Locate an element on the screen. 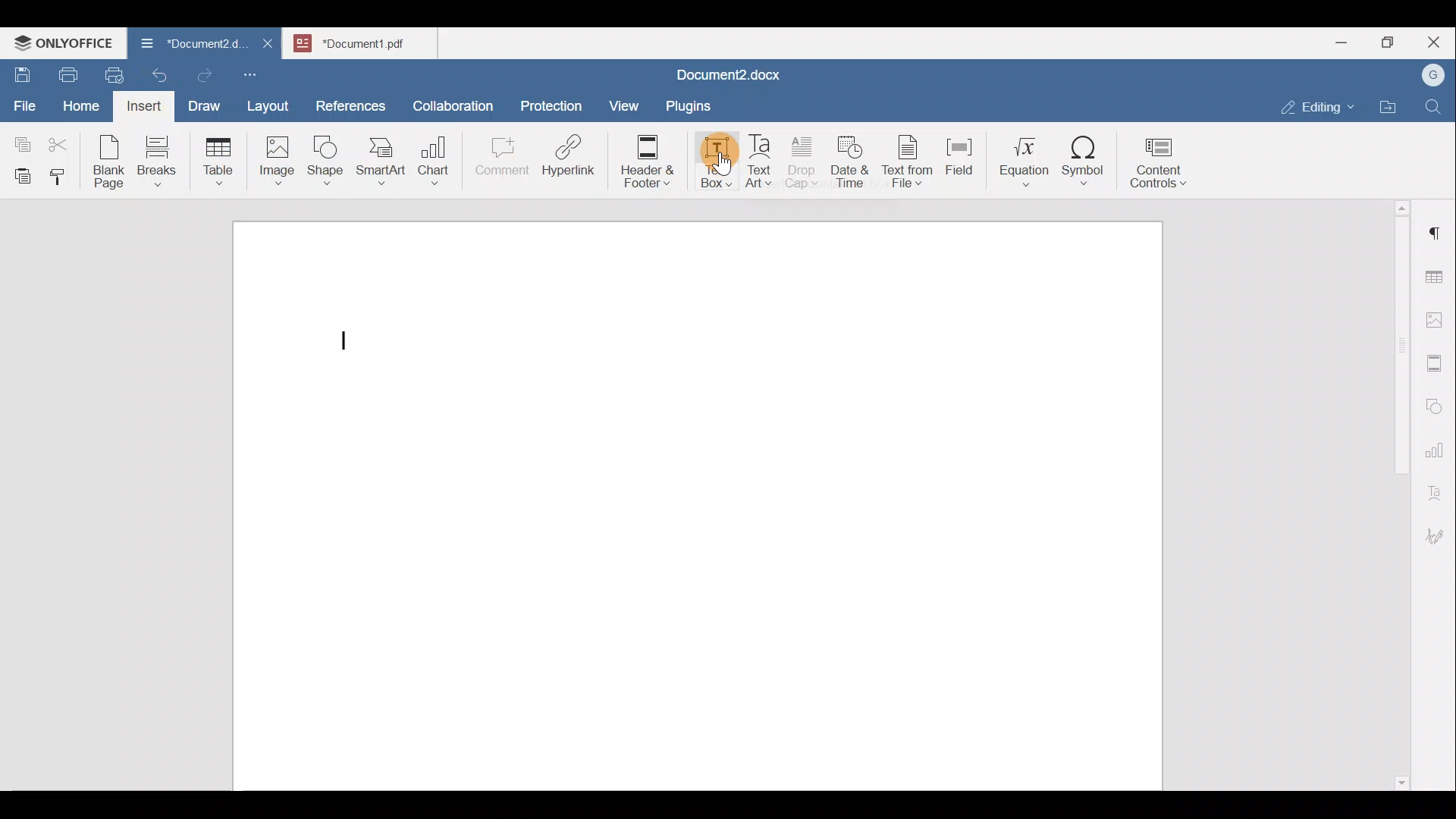  Undo is located at coordinates (156, 73).